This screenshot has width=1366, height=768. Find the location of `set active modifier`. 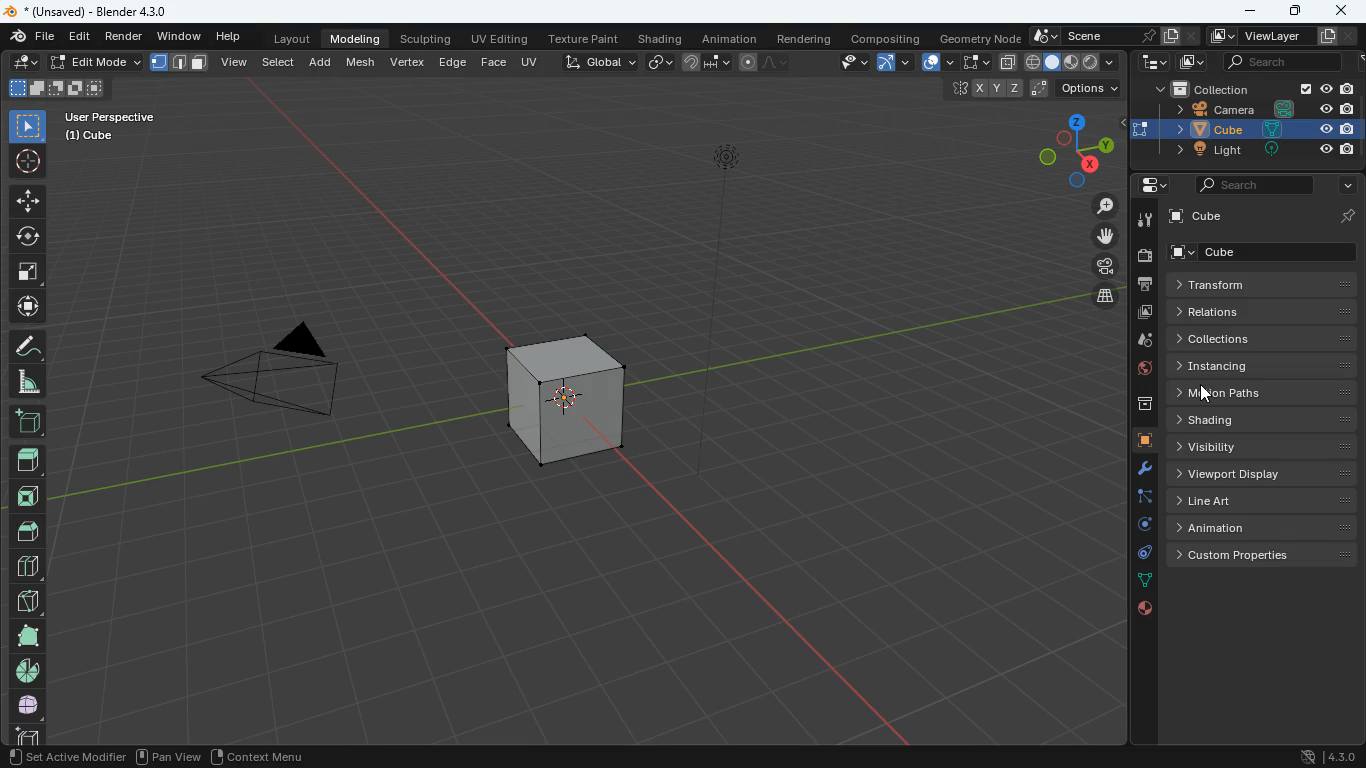

set active modifier is located at coordinates (65, 758).